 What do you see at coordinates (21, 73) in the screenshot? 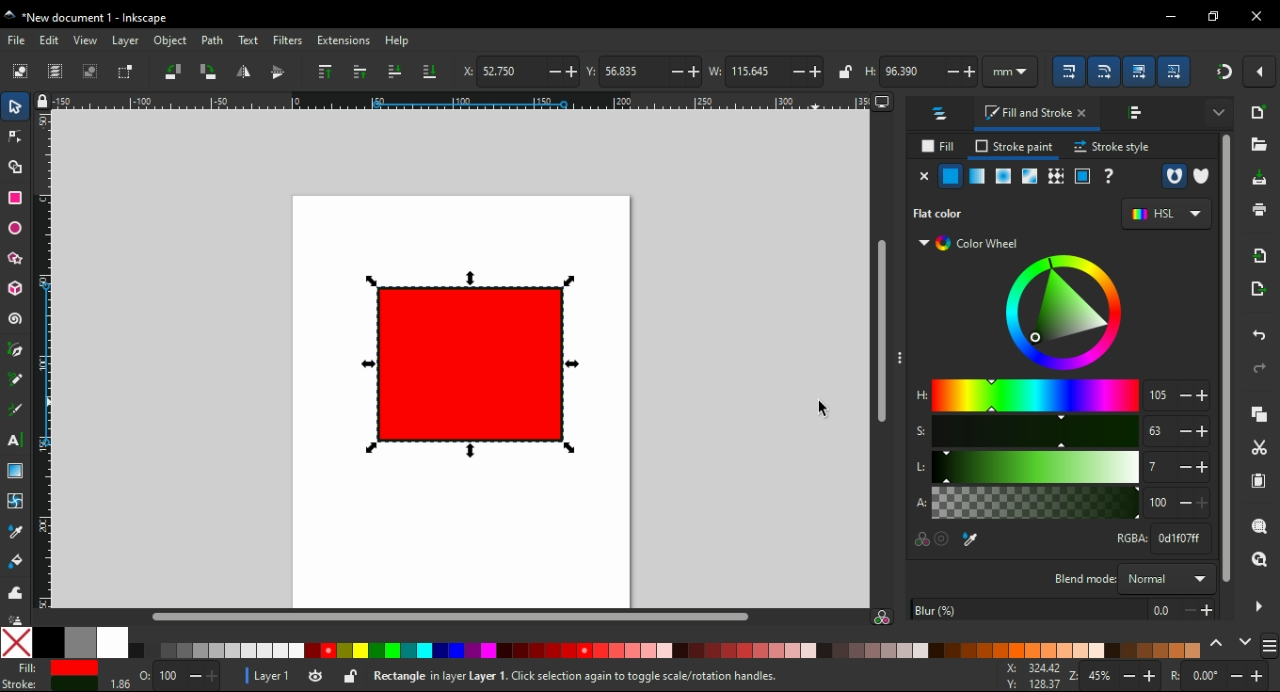
I see `select all` at bounding box center [21, 73].